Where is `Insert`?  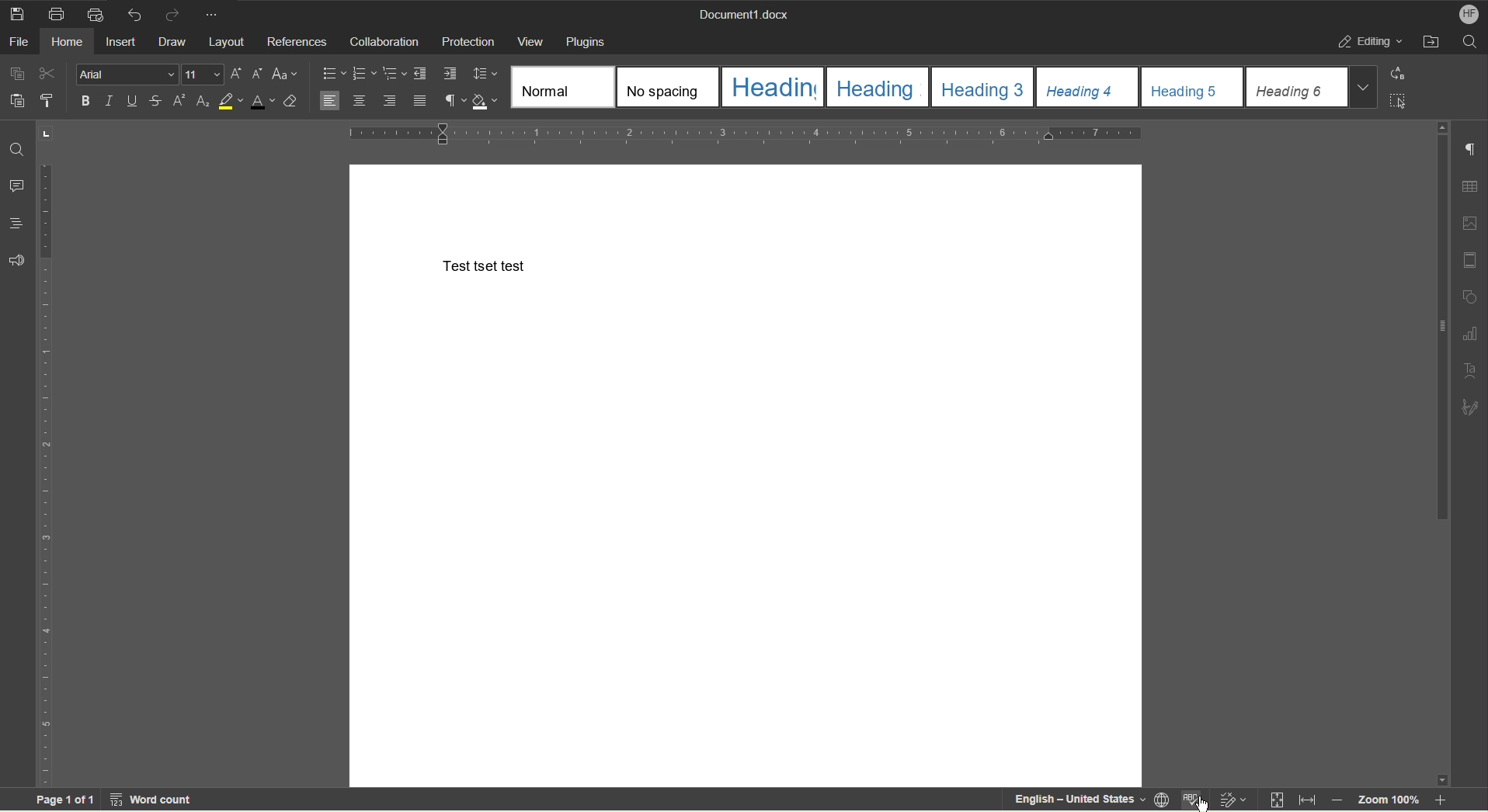 Insert is located at coordinates (125, 40).